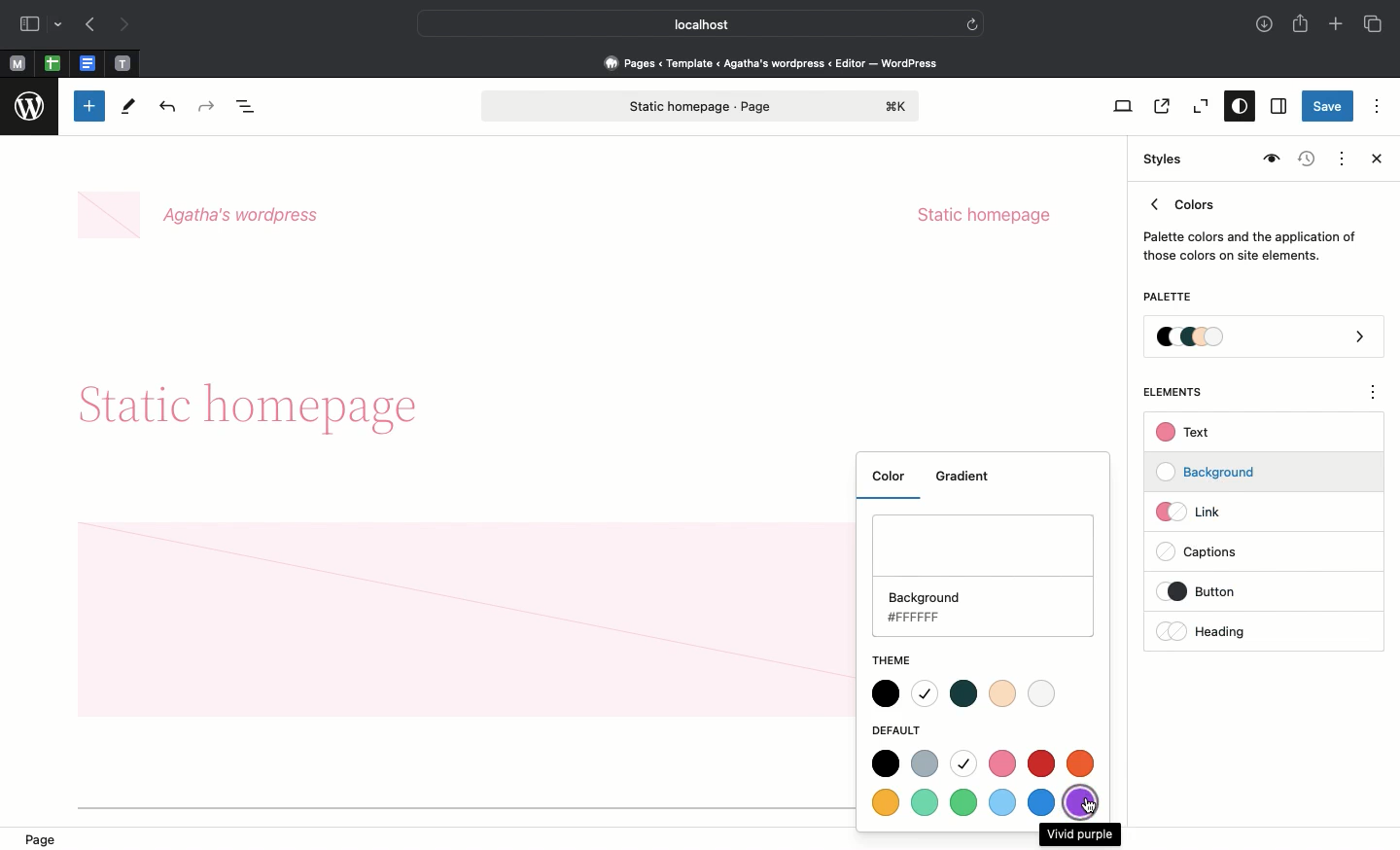 This screenshot has height=850, width=1400. Describe the element at coordinates (202, 216) in the screenshot. I see `Wordpress name` at that location.